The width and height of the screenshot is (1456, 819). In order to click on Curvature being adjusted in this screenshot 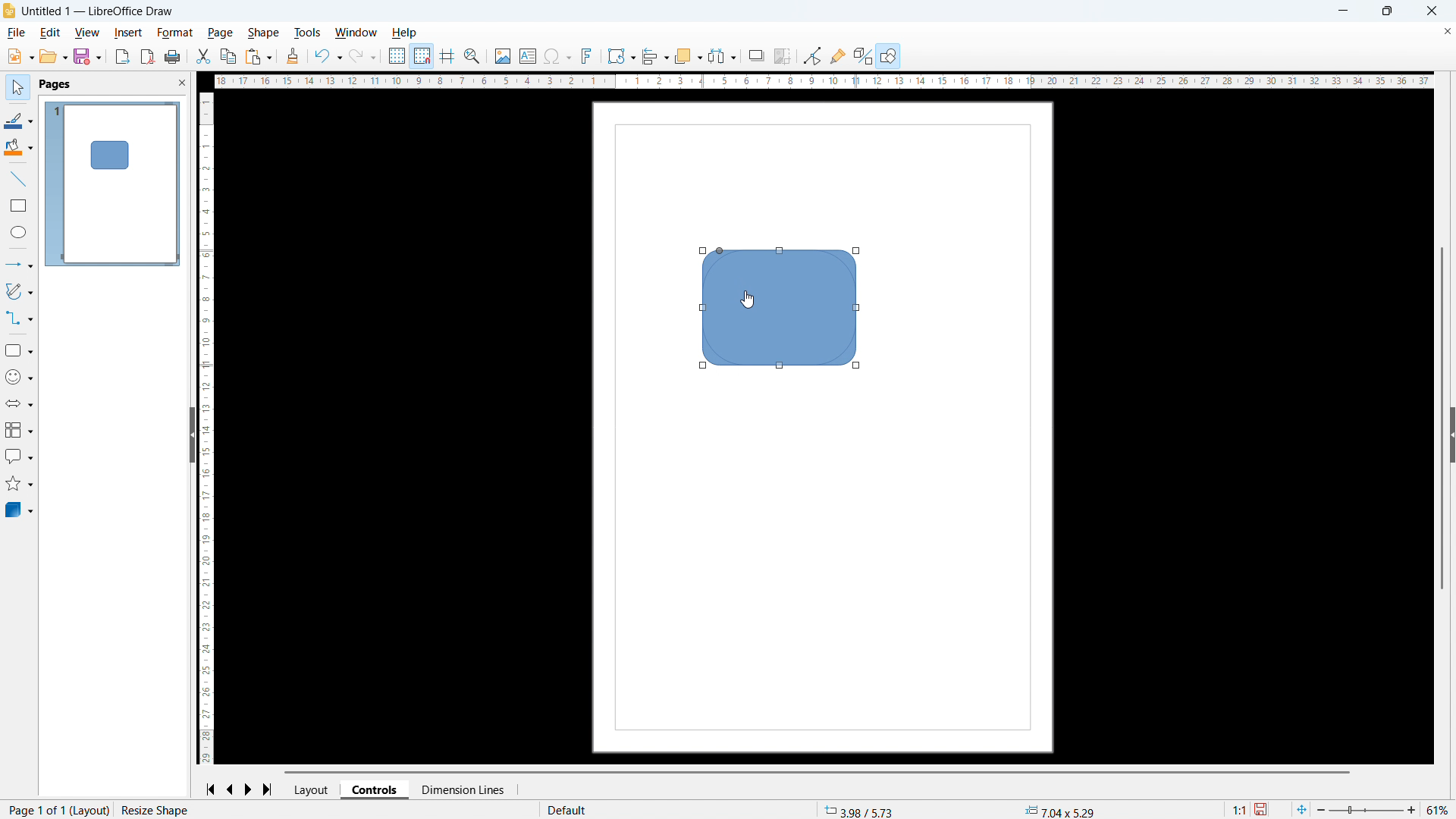, I will do `click(782, 308)`.